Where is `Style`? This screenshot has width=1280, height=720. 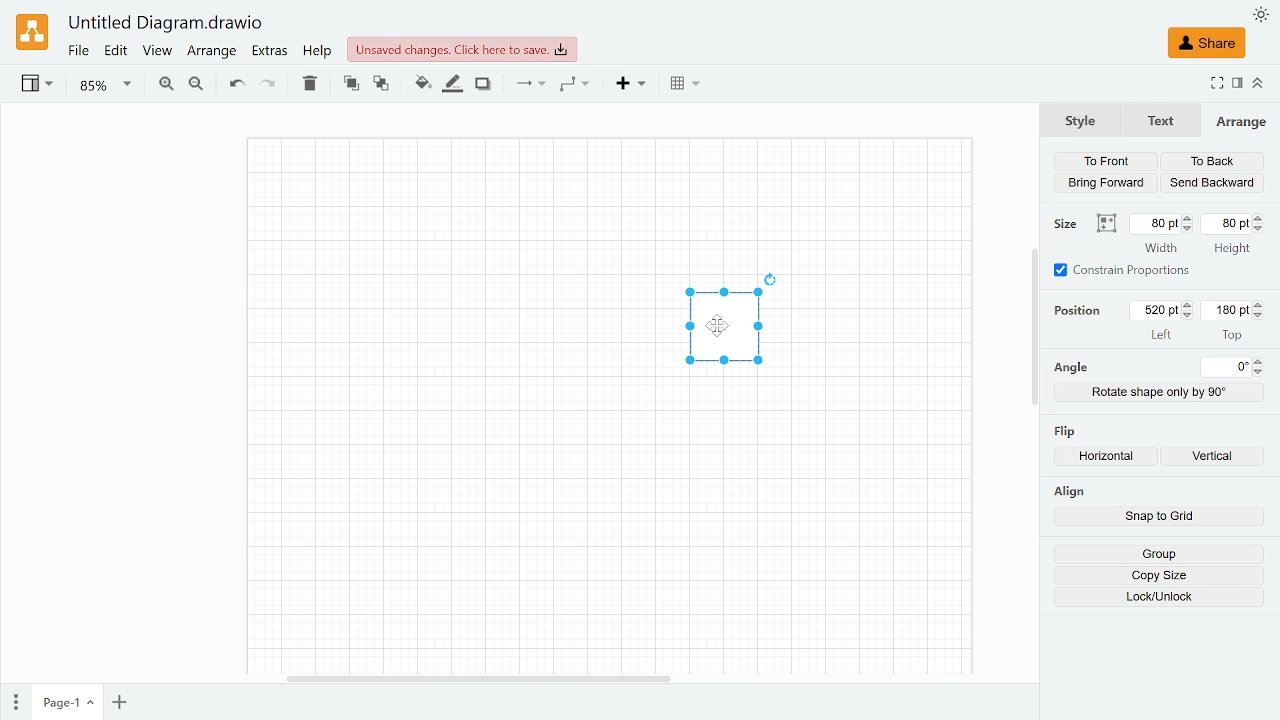
Style is located at coordinates (1080, 119).